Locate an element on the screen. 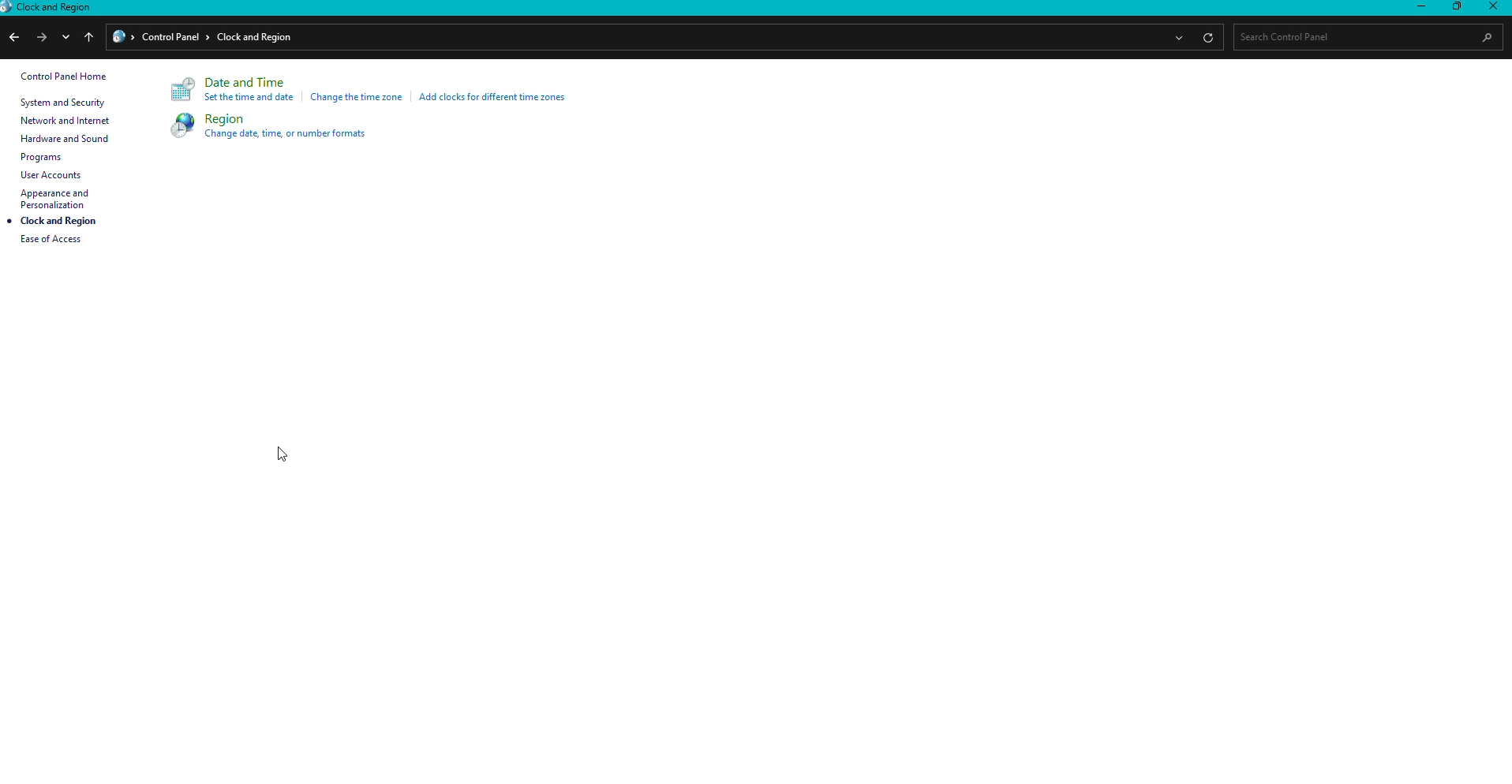  Set time and date is located at coordinates (251, 100).